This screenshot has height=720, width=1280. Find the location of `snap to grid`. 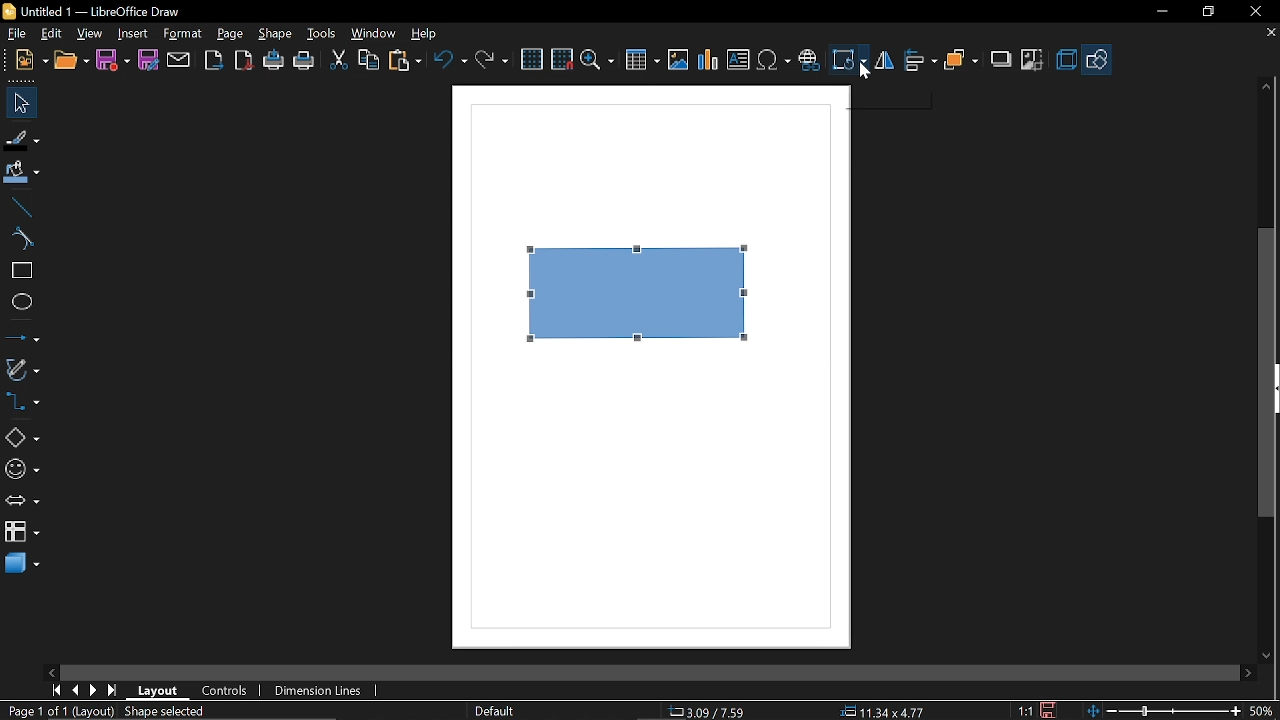

snap to grid is located at coordinates (562, 59).